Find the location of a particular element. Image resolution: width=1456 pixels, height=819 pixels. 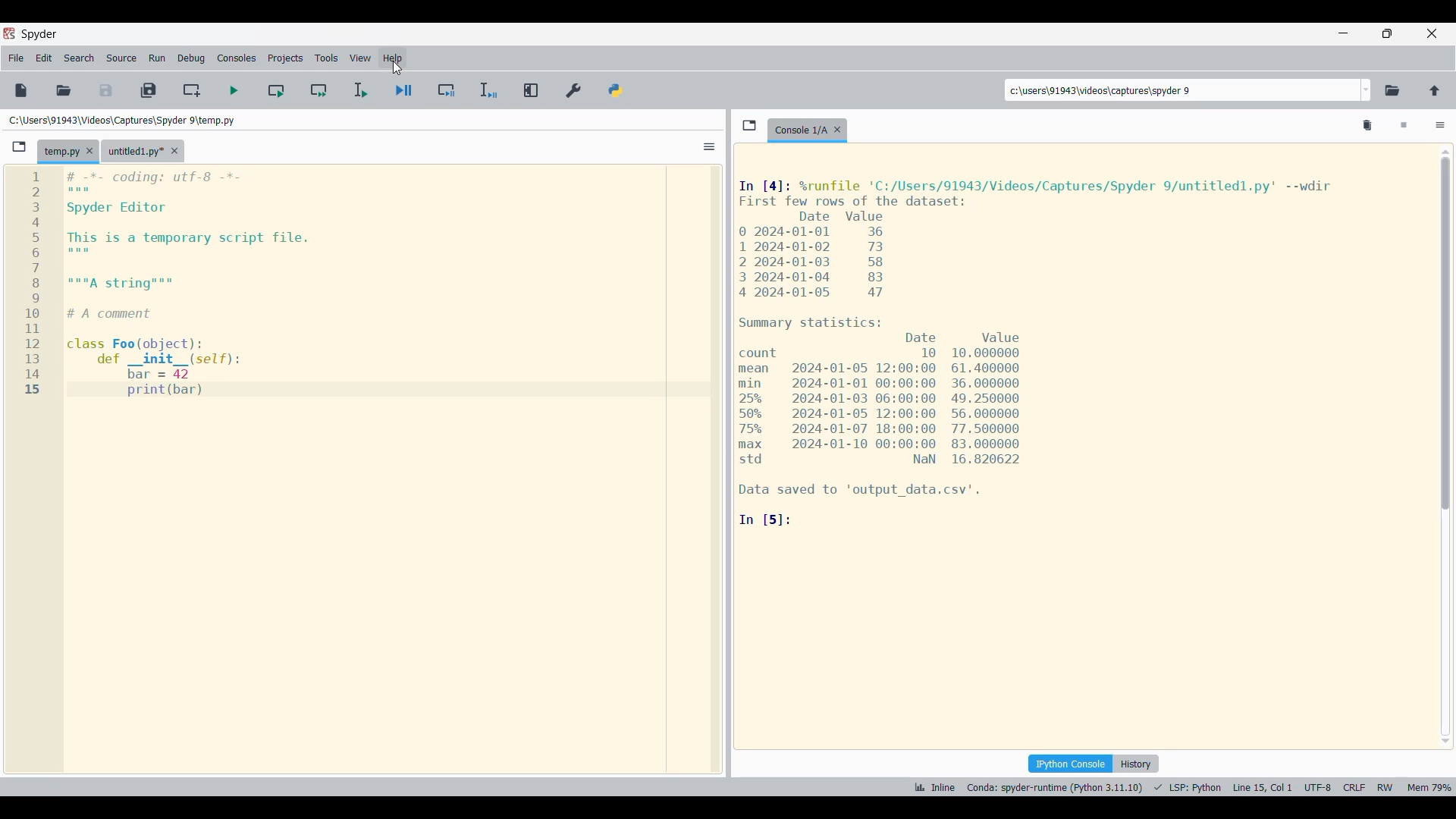

View menu  is located at coordinates (359, 58).